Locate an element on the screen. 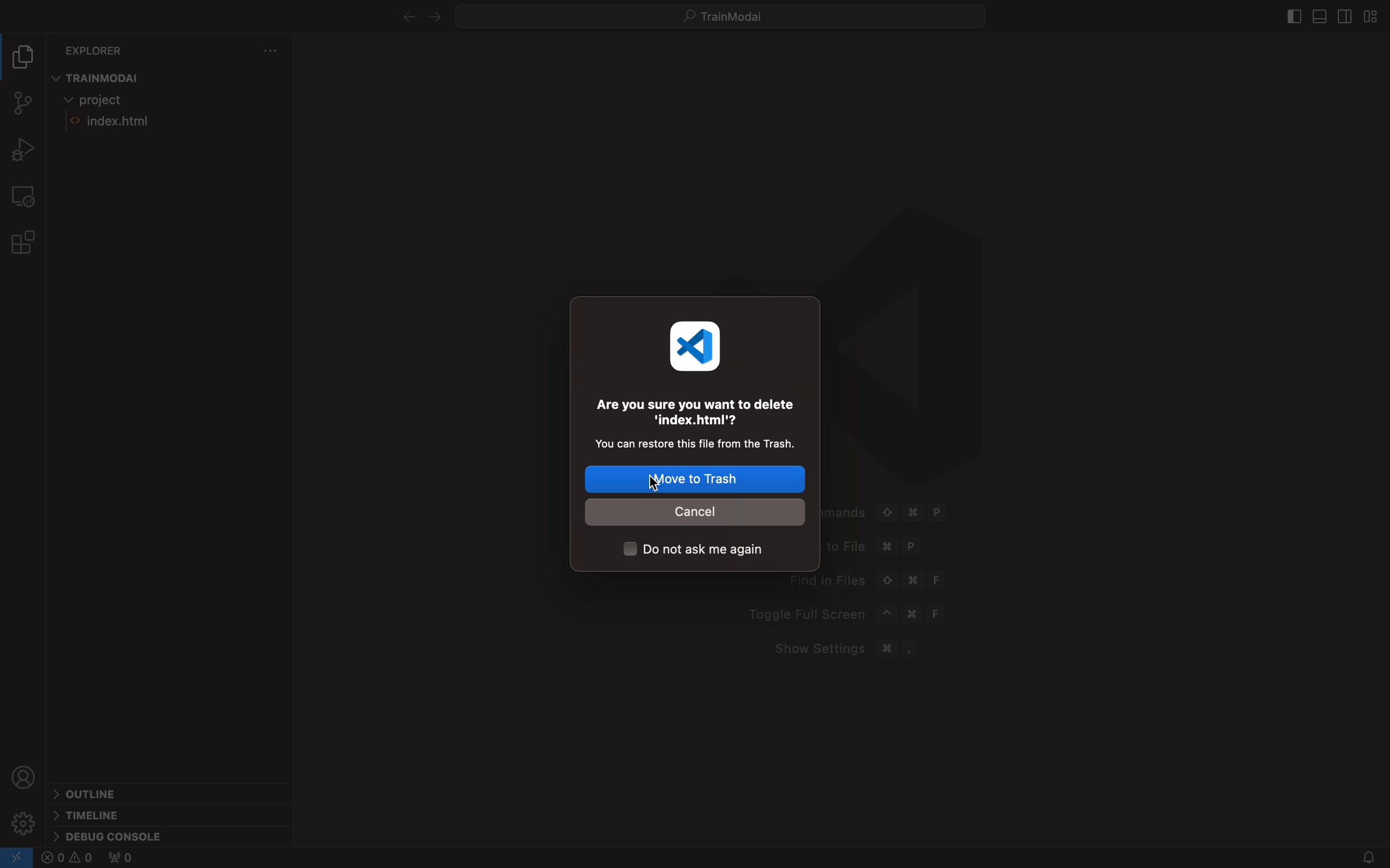  0 is located at coordinates (120, 859).